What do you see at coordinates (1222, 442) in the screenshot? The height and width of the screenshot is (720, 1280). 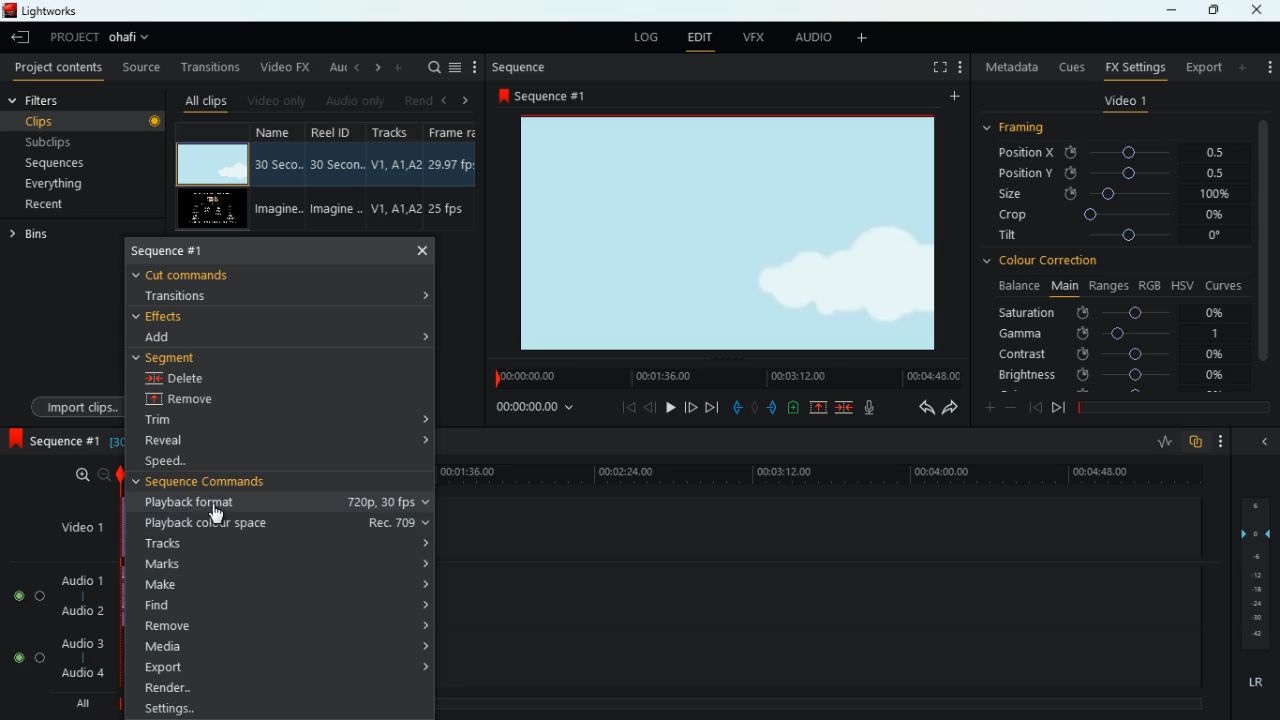 I see `more` at bounding box center [1222, 442].